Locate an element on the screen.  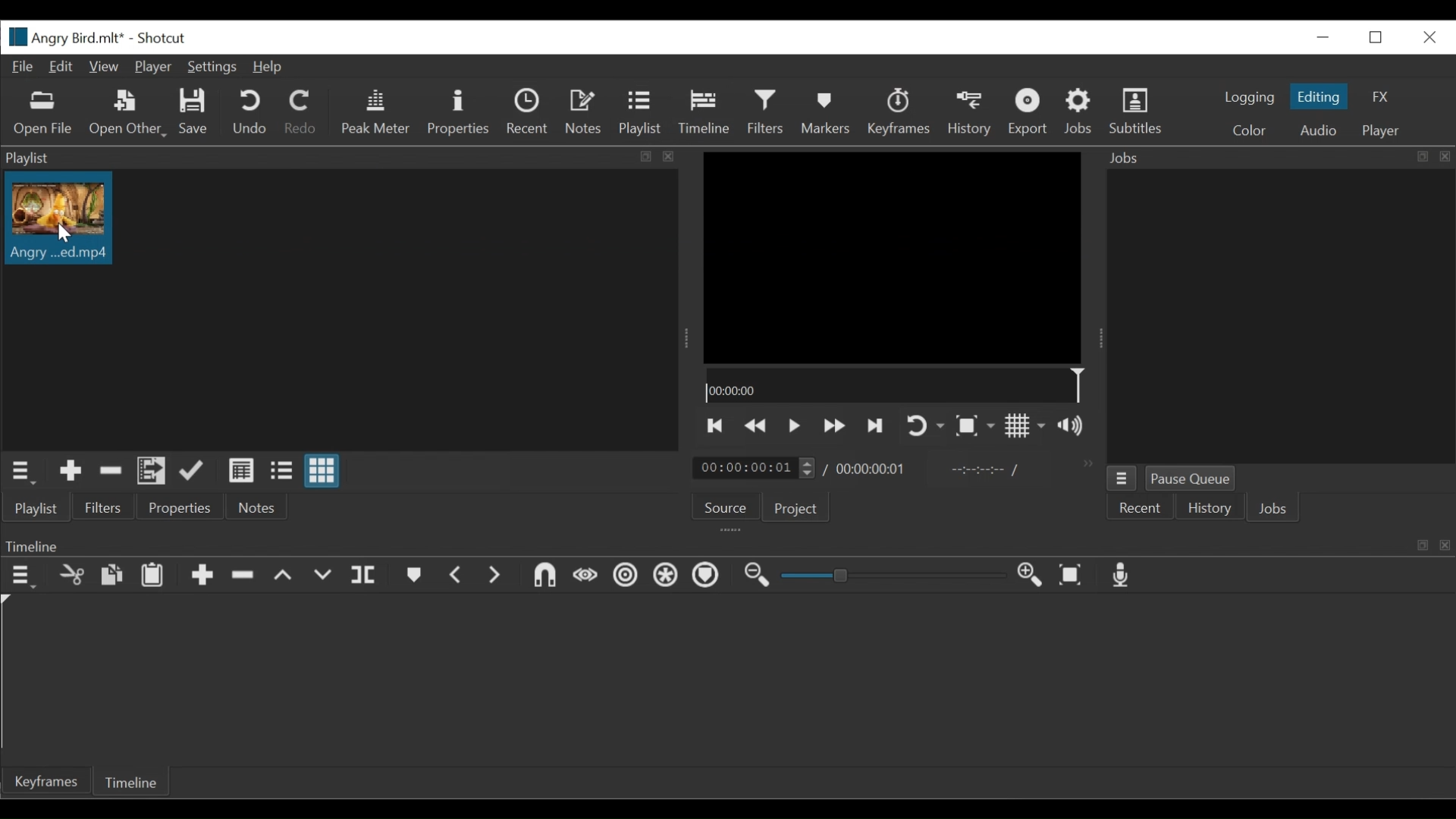
Timeline is located at coordinates (706, 113).